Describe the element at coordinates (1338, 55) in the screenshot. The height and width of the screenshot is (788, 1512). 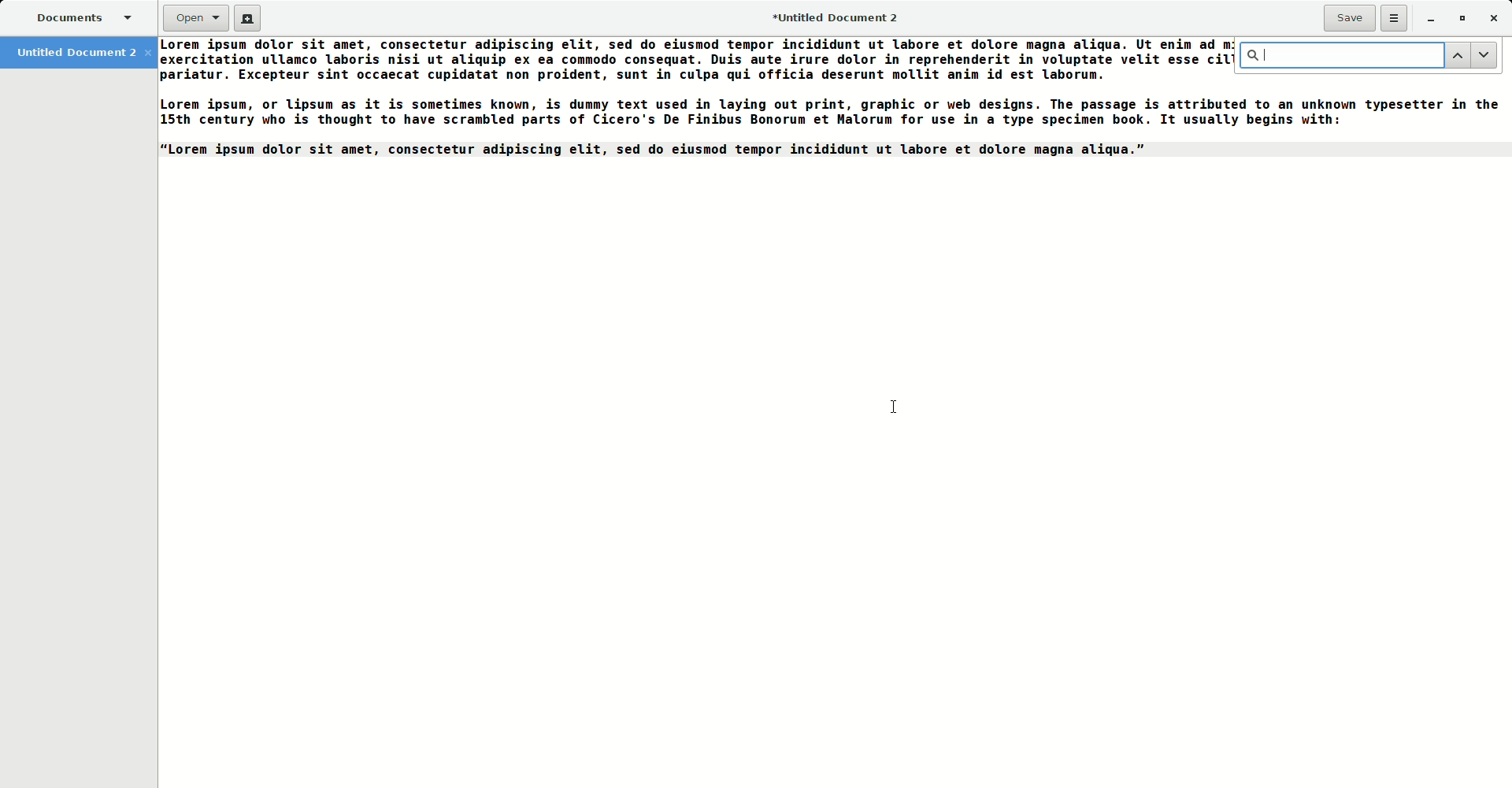
I see `Find bar` at that location.